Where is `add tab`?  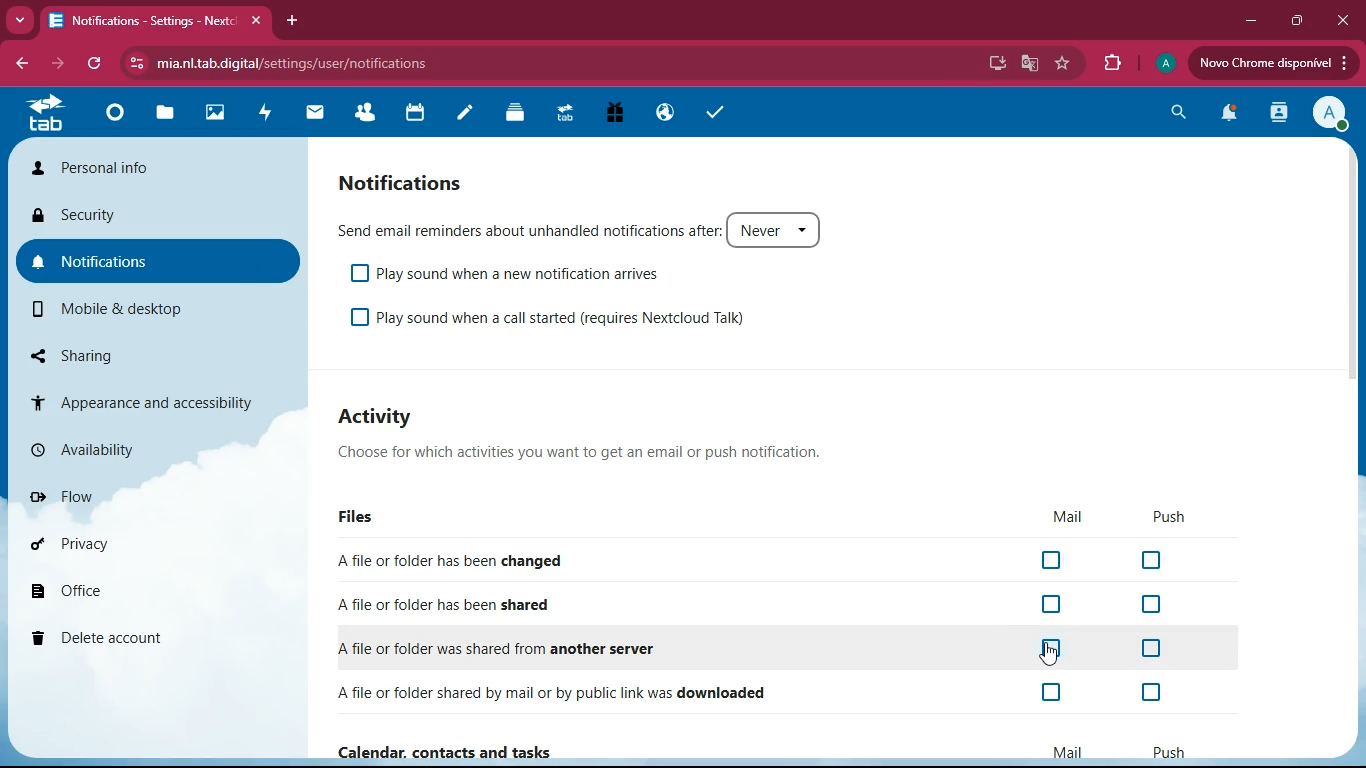
add tab is located at coordinates (290, 22).